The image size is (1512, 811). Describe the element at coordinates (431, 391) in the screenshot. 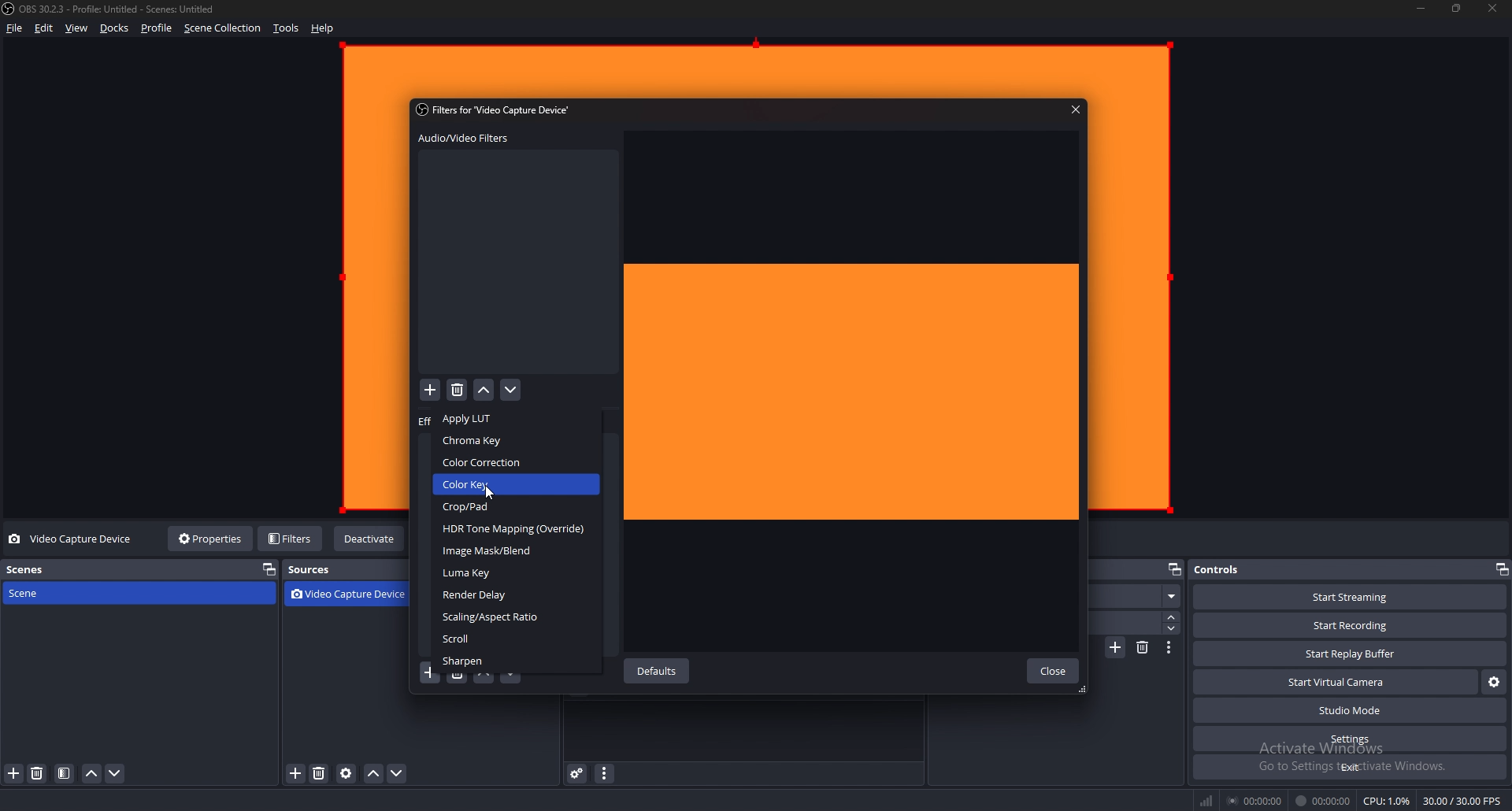

I see `add` at that location.